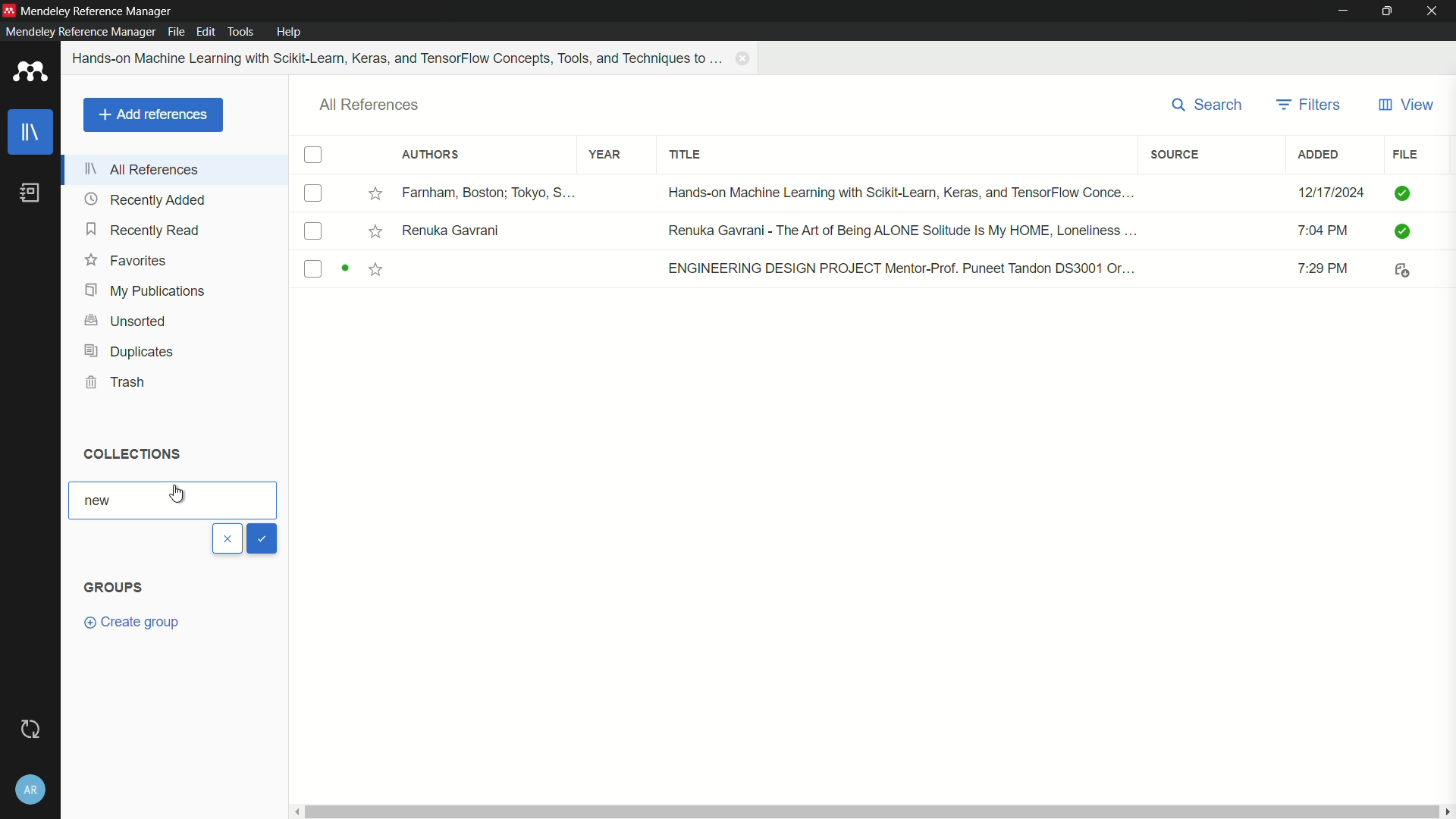  Describe the element at coordinates (31, 134) in the screenshot. I see `library` at that location.